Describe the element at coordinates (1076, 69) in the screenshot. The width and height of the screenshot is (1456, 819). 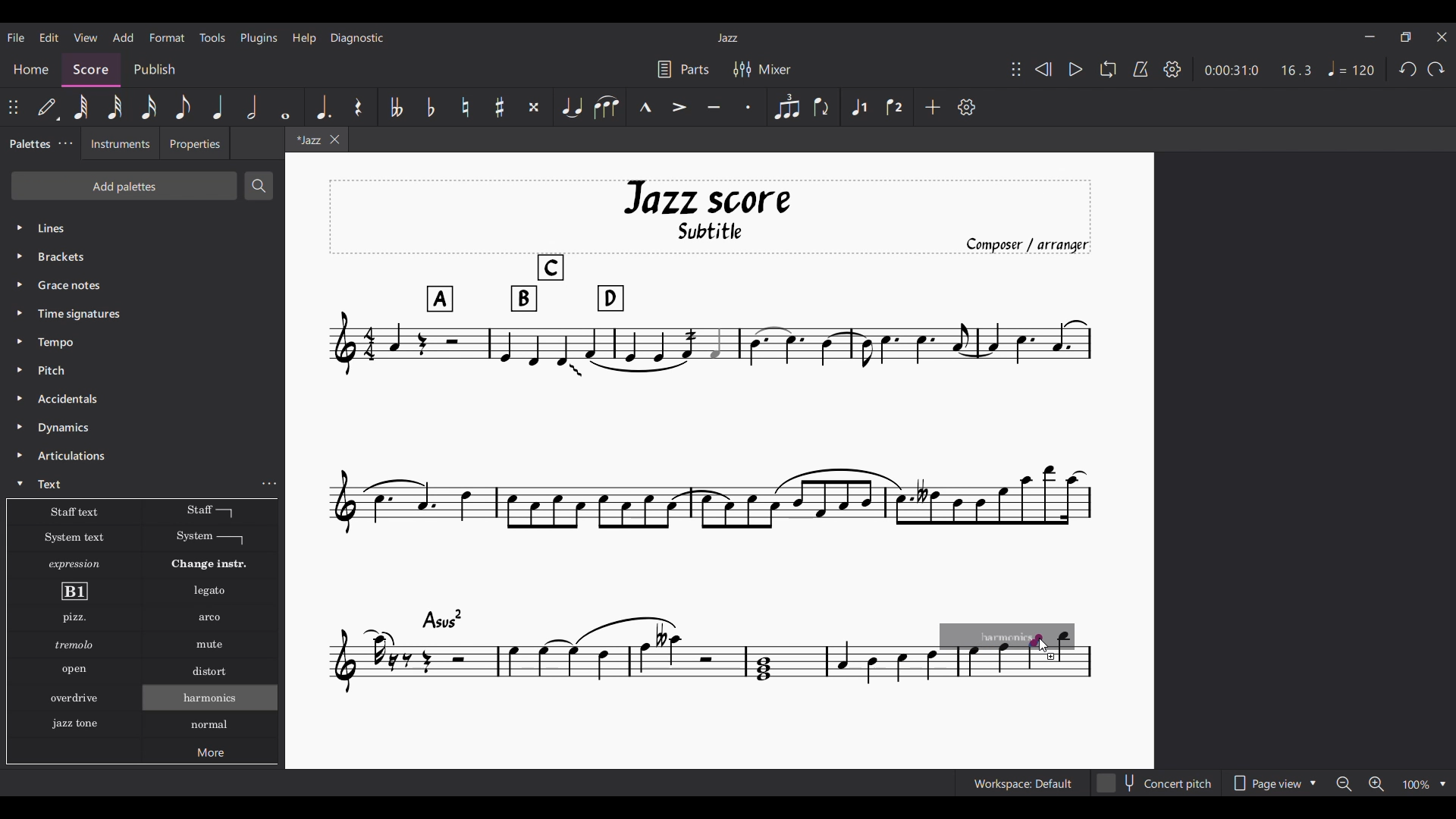
I see `Play` at that location.